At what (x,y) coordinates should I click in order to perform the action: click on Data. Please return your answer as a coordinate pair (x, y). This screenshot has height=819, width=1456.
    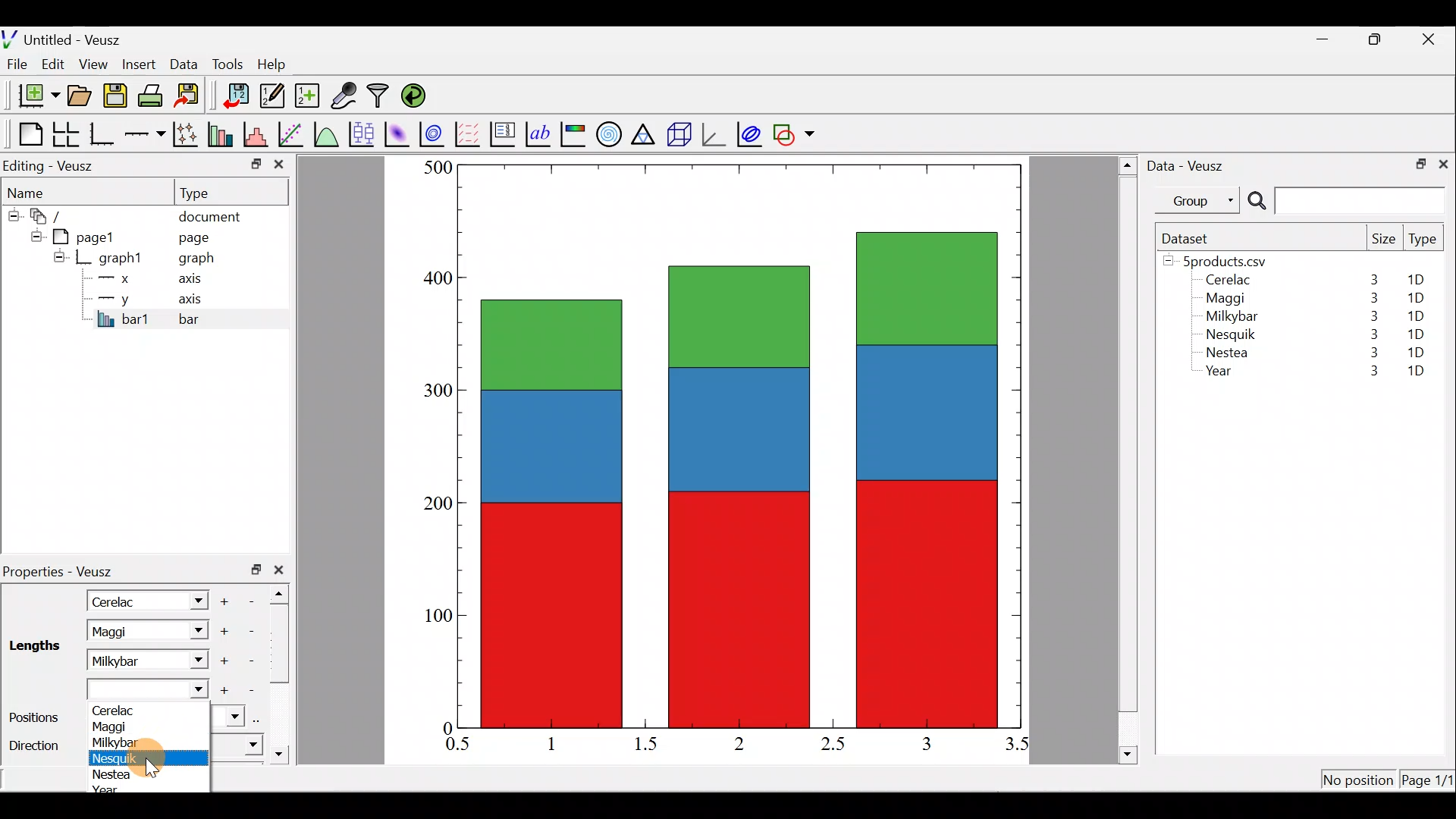
    Looking at the image, I should click on (184, 63).